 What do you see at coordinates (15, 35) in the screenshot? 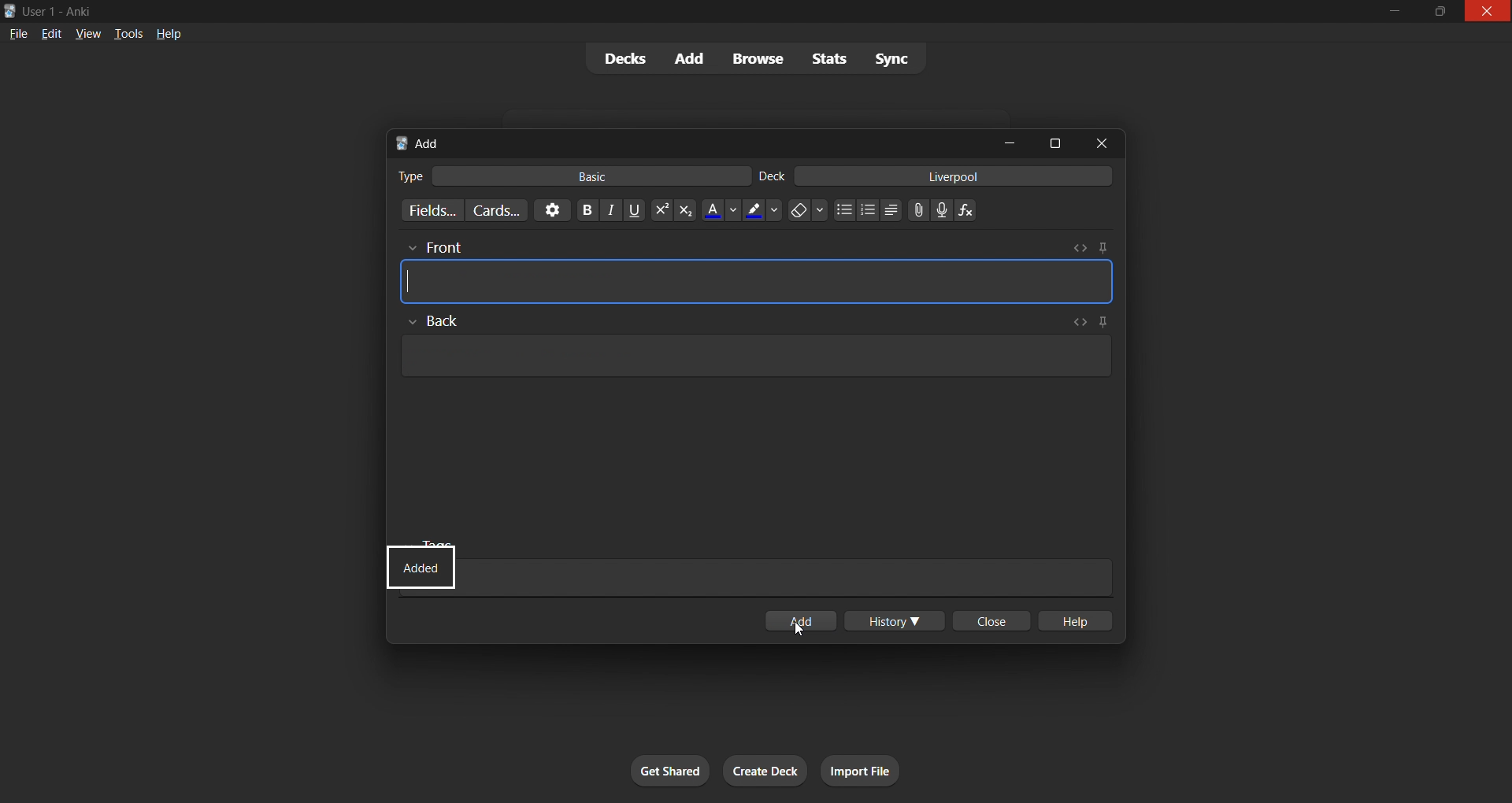
I see `file` at bounding box center [15, 35].